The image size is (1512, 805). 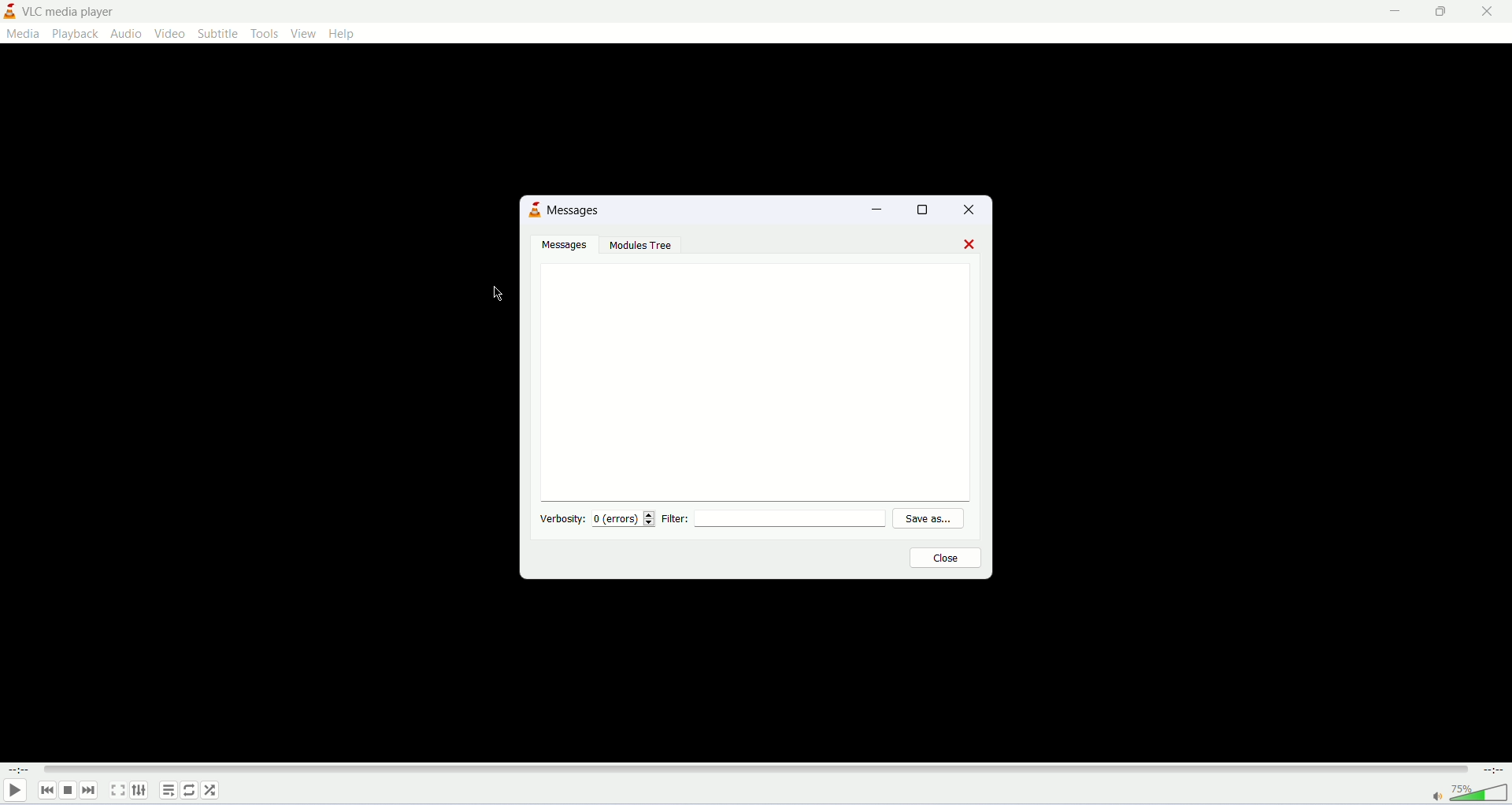 I want to click on errors, so click(x=627, y=520).